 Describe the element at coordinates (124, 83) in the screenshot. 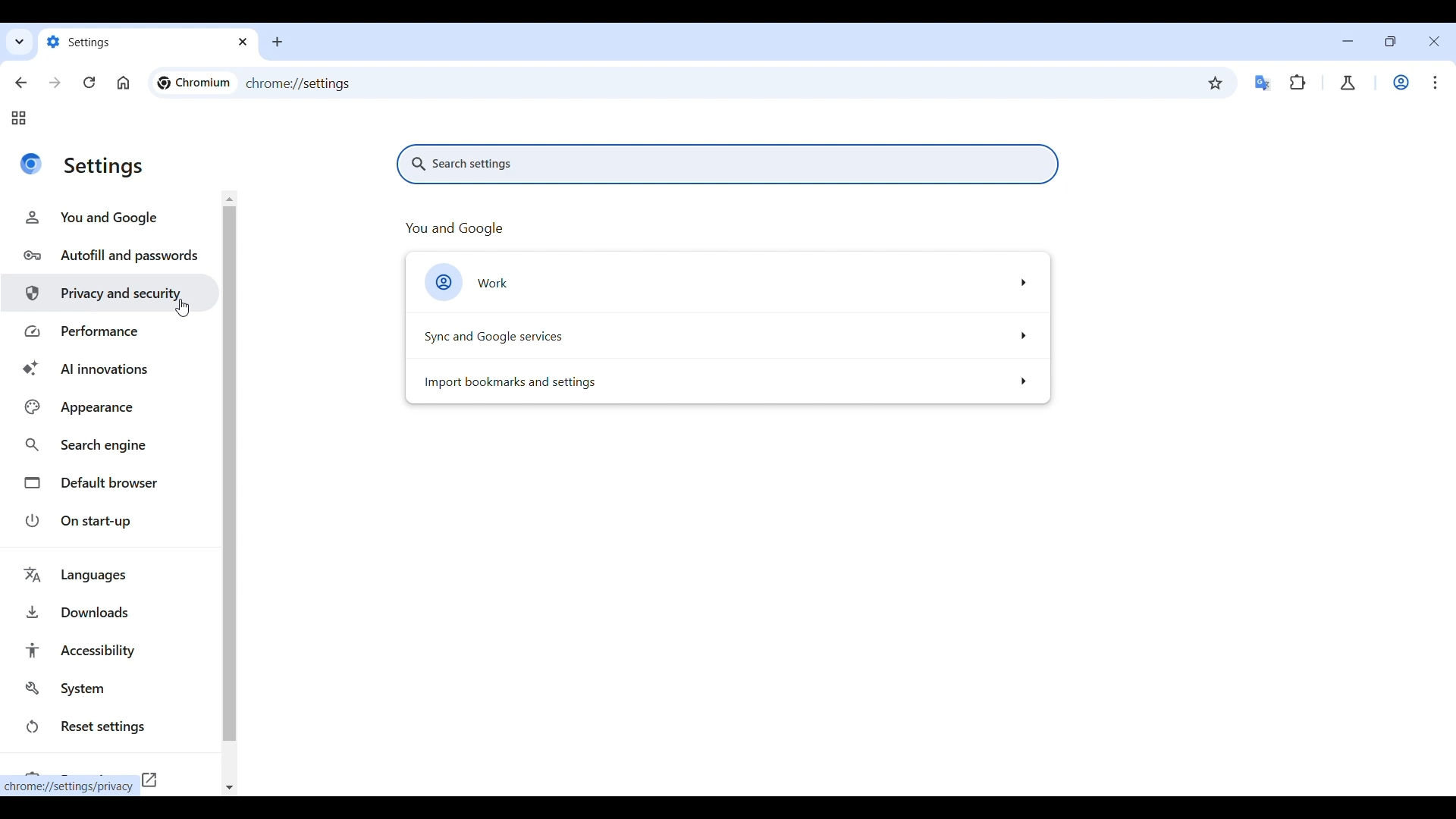

I see `Go to homepage` at that location.